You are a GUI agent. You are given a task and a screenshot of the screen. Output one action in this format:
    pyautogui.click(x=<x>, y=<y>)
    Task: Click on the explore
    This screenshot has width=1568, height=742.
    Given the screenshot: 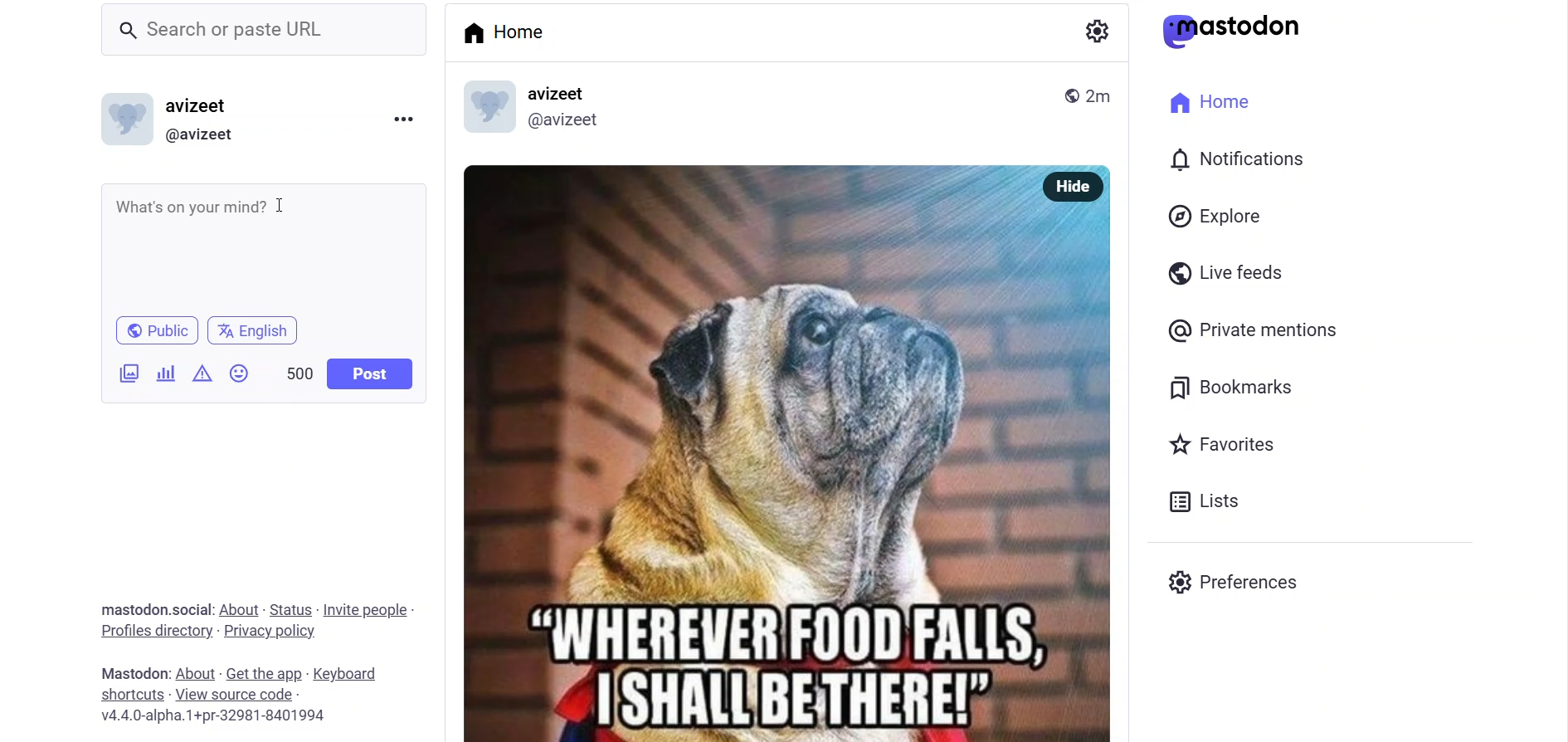 What is the action you would take?
    pyautogui.click(x=1215, y=216)
    